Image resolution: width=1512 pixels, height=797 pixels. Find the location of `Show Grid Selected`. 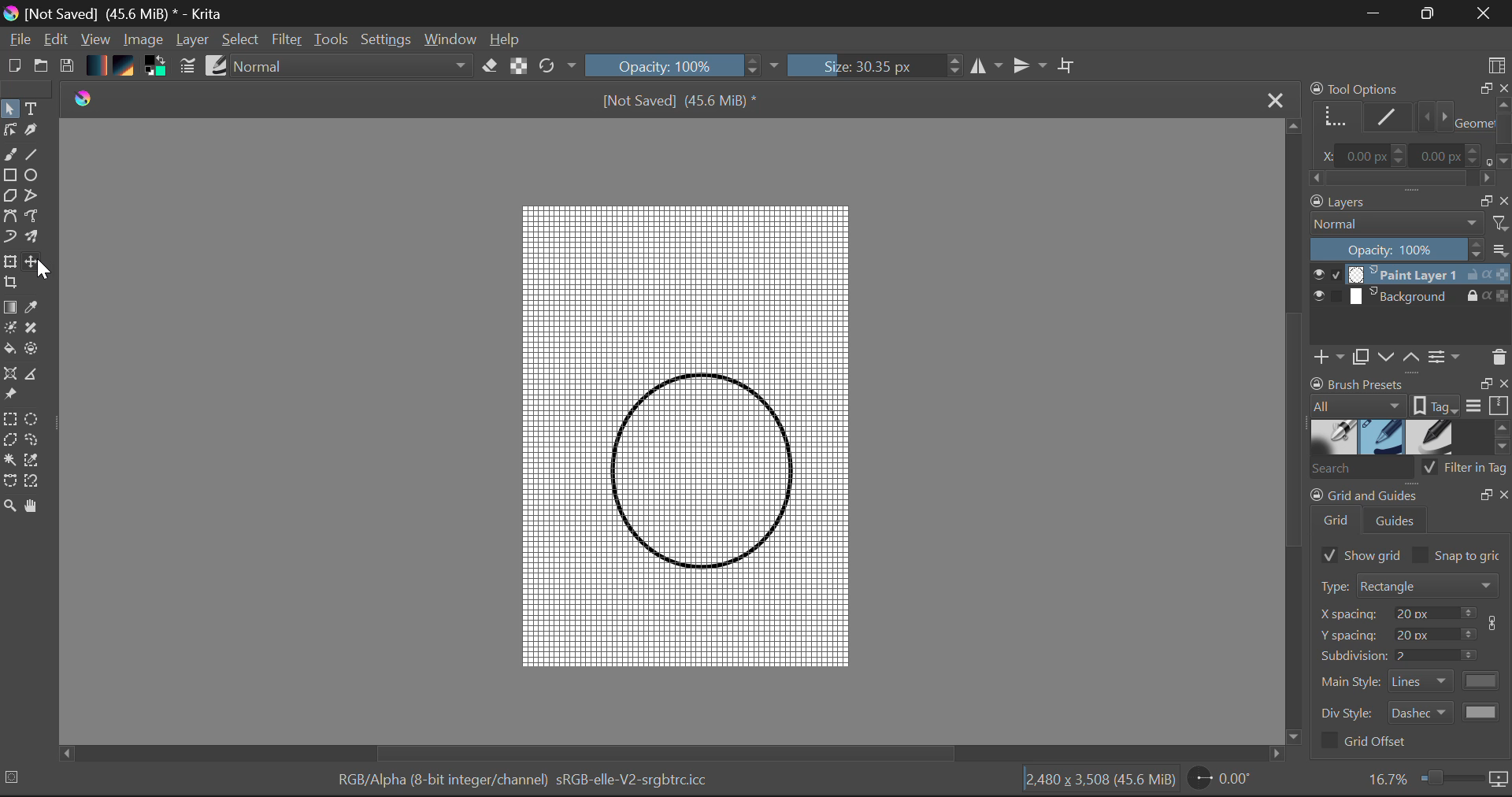

Show Grid Selected is located at coordinates (1357, 554).